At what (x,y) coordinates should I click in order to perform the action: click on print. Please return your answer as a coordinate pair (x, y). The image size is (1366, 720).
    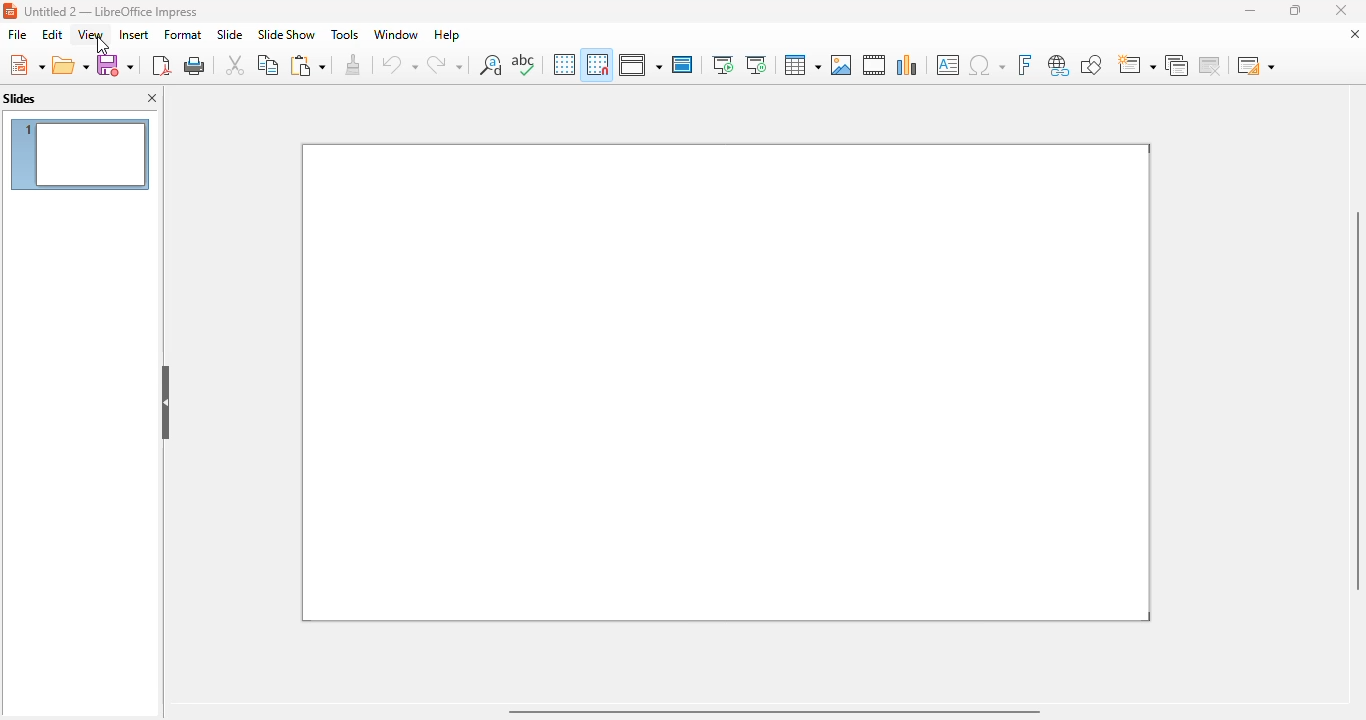
    Looking at the image, I should click on (195, 65).